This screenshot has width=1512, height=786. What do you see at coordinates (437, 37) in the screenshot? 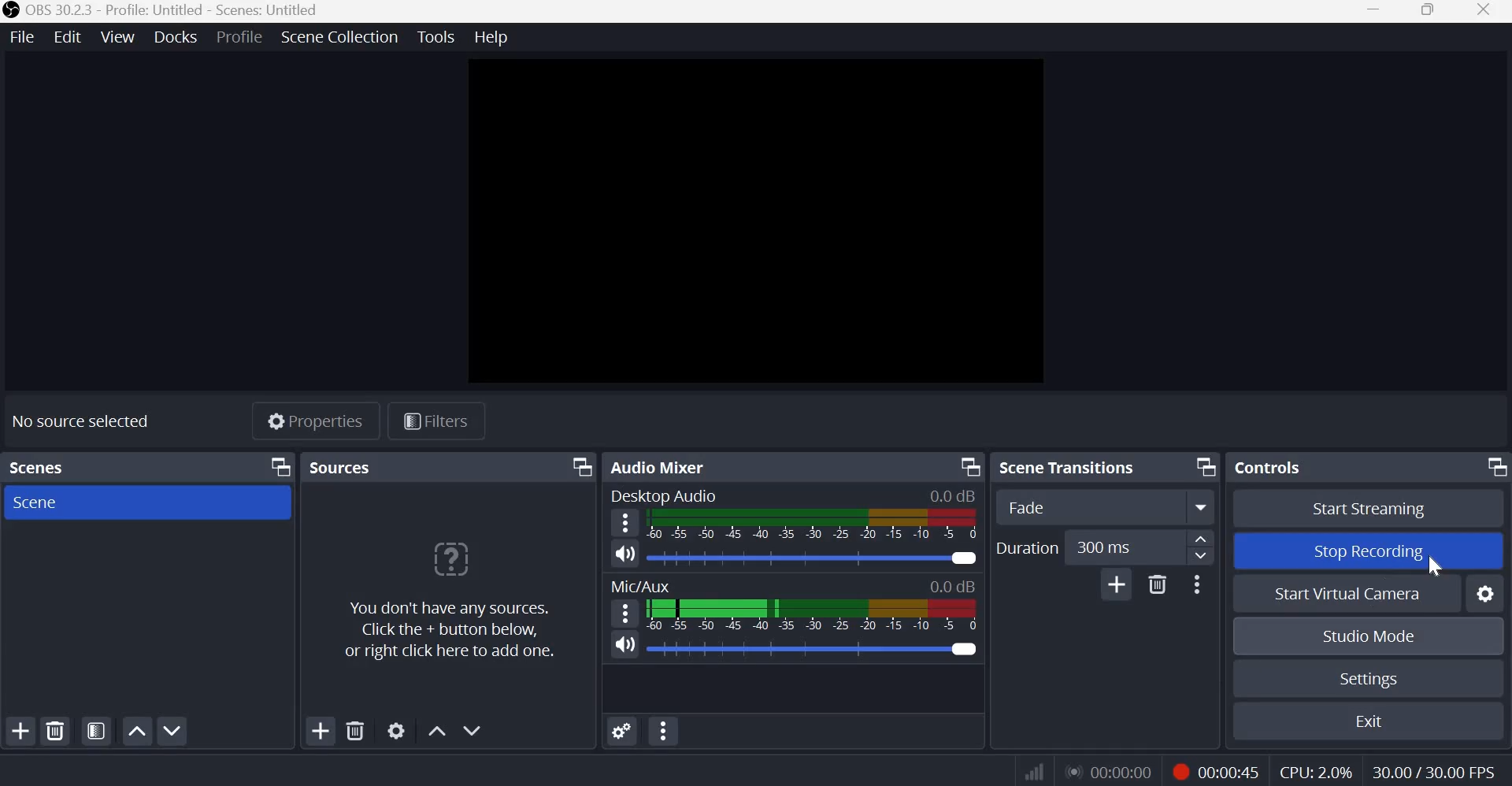
I see `Tools` at bounding box center [437, 37].